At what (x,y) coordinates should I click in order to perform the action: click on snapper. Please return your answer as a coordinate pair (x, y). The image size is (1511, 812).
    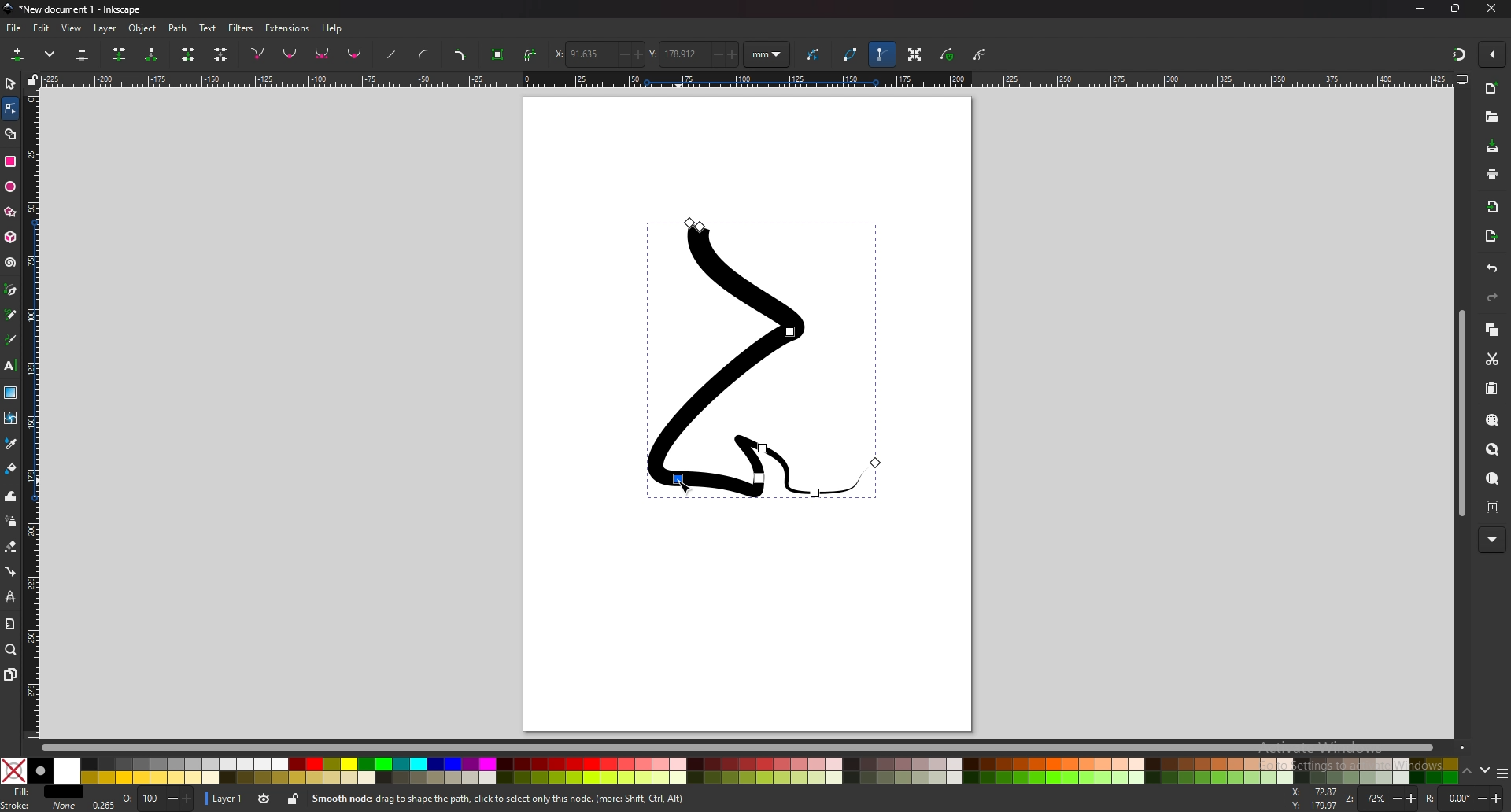
    Looking at the image, I should click on (1459, 54).